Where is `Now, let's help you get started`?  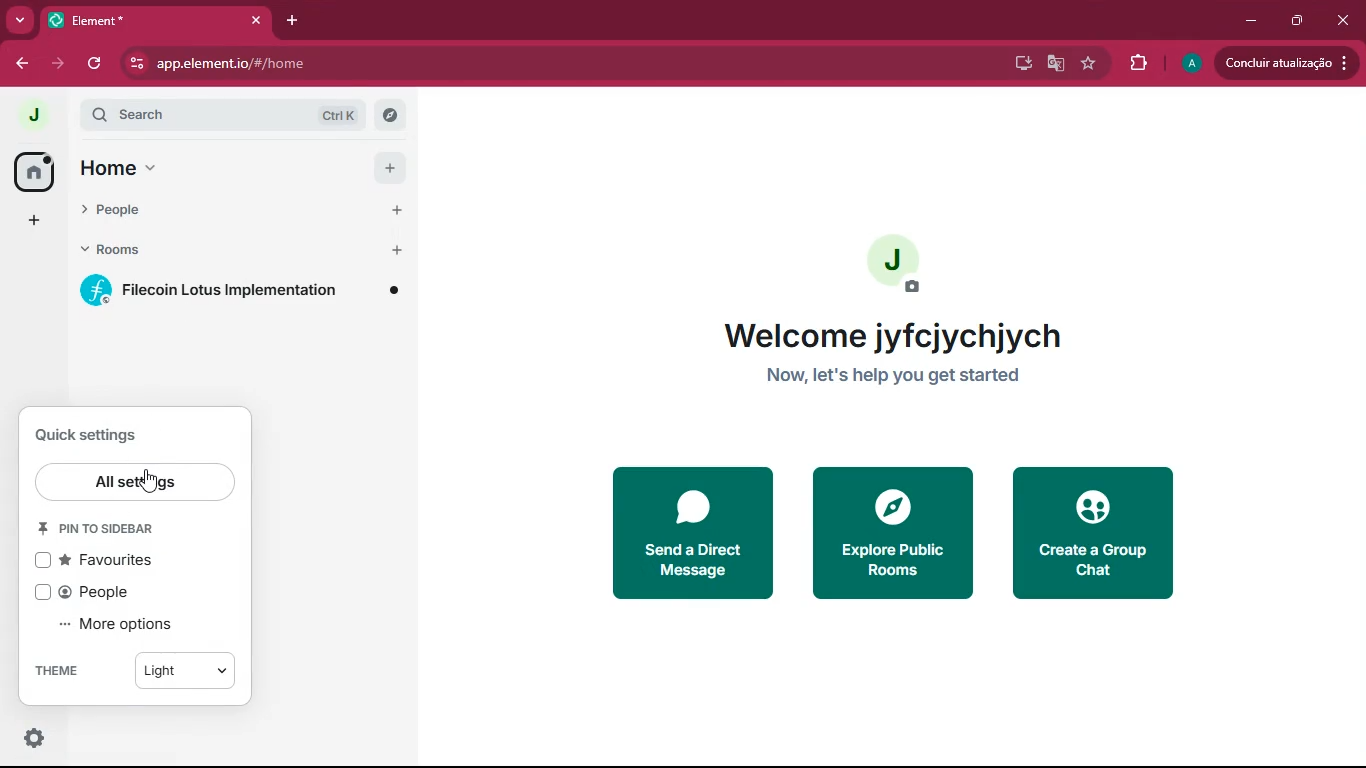 Now, let's help you get started is located at coordinates (896, 379).